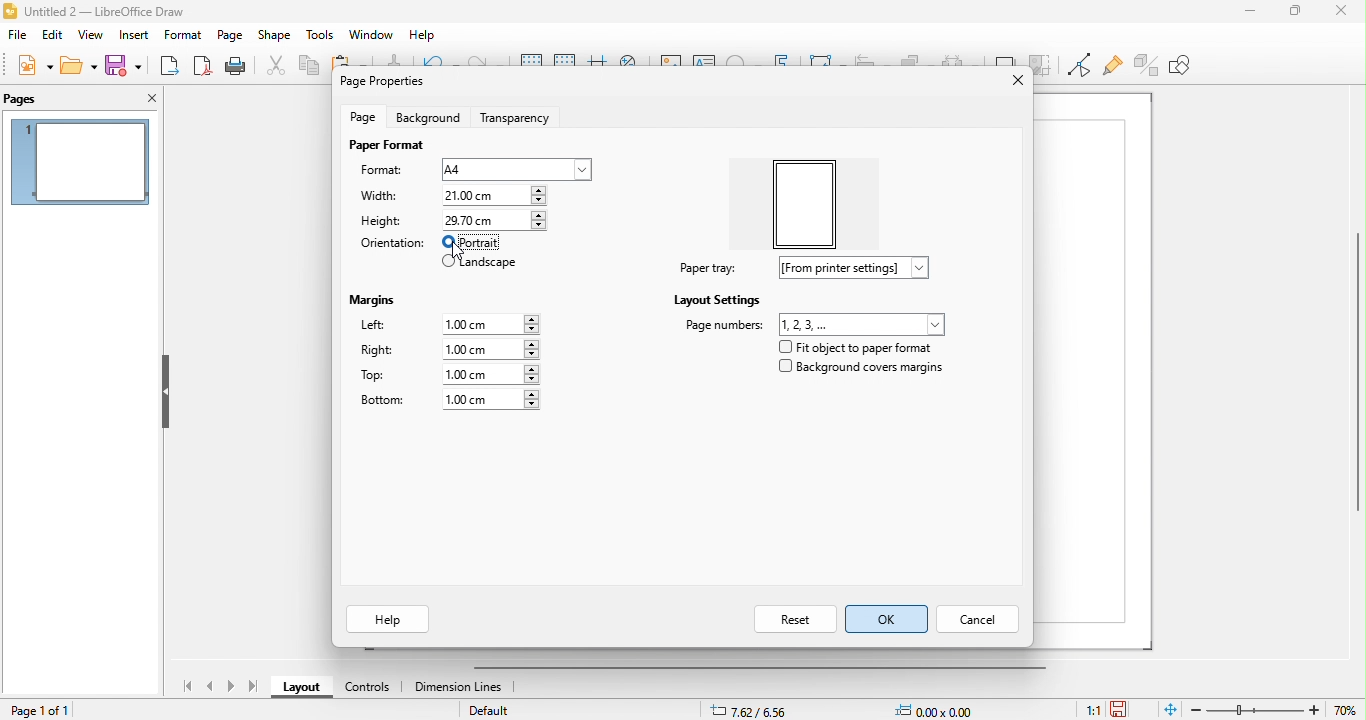 Image resolution: width=1366 pixels, height=720 pixels. I want to click on horizontal scroll bar, so click(771, 667).